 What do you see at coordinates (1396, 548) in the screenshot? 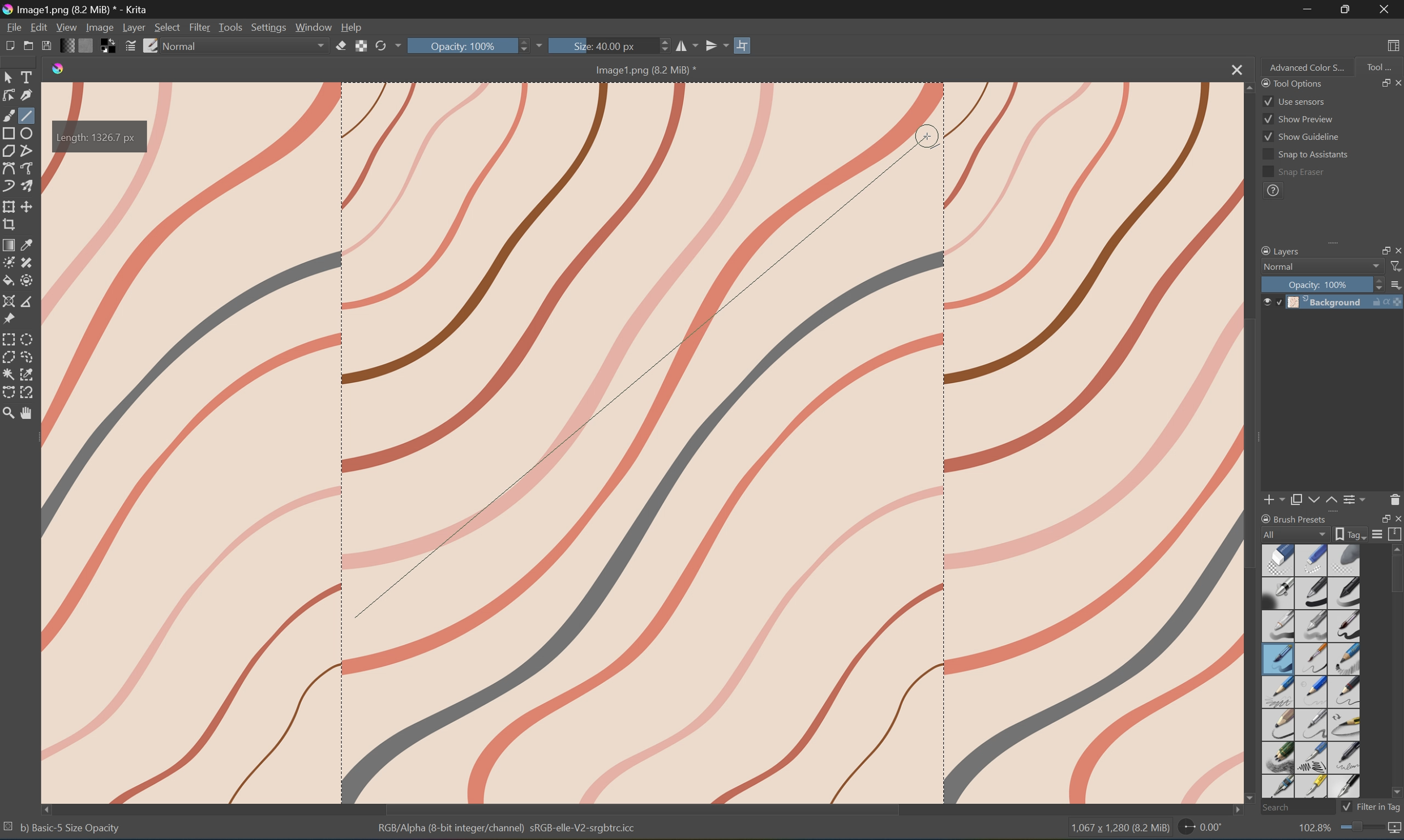
I see `Scroll Up` at bounding box center [1396, 548].